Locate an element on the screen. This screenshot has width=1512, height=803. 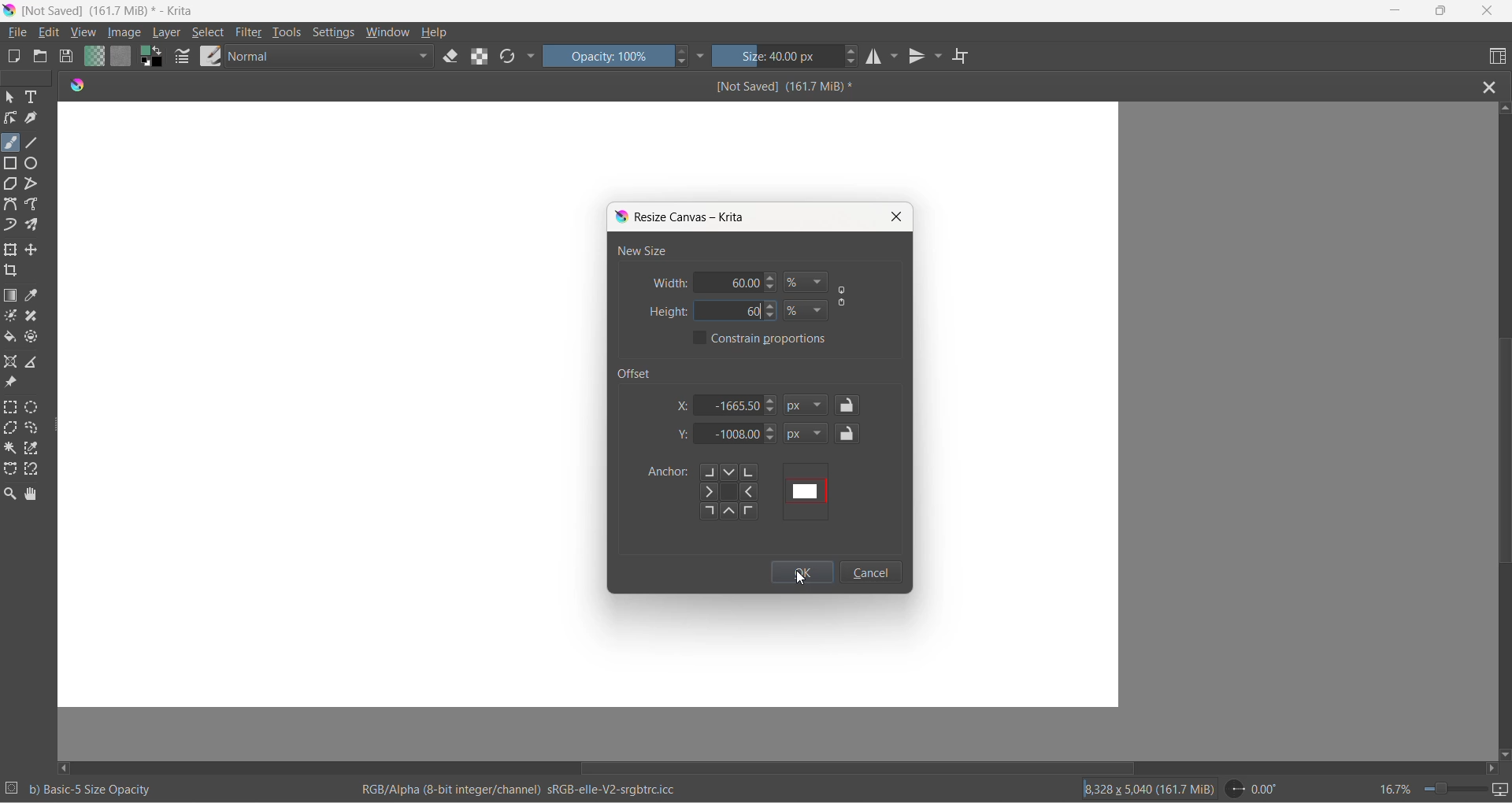
polyline tool is located at coordinates (32, 185).